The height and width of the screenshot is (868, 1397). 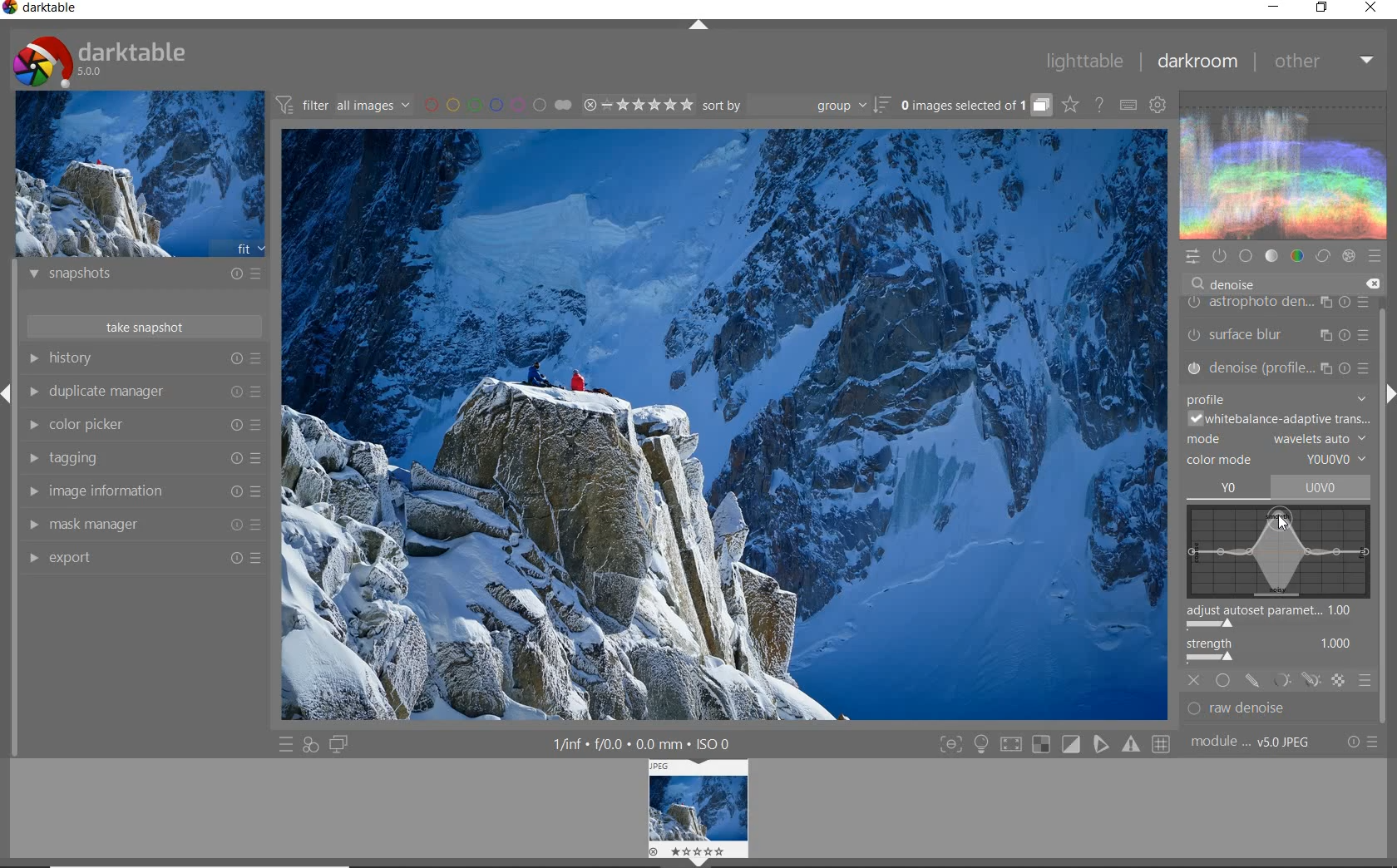 I want to click on YO, so click(x=1229, y=489).